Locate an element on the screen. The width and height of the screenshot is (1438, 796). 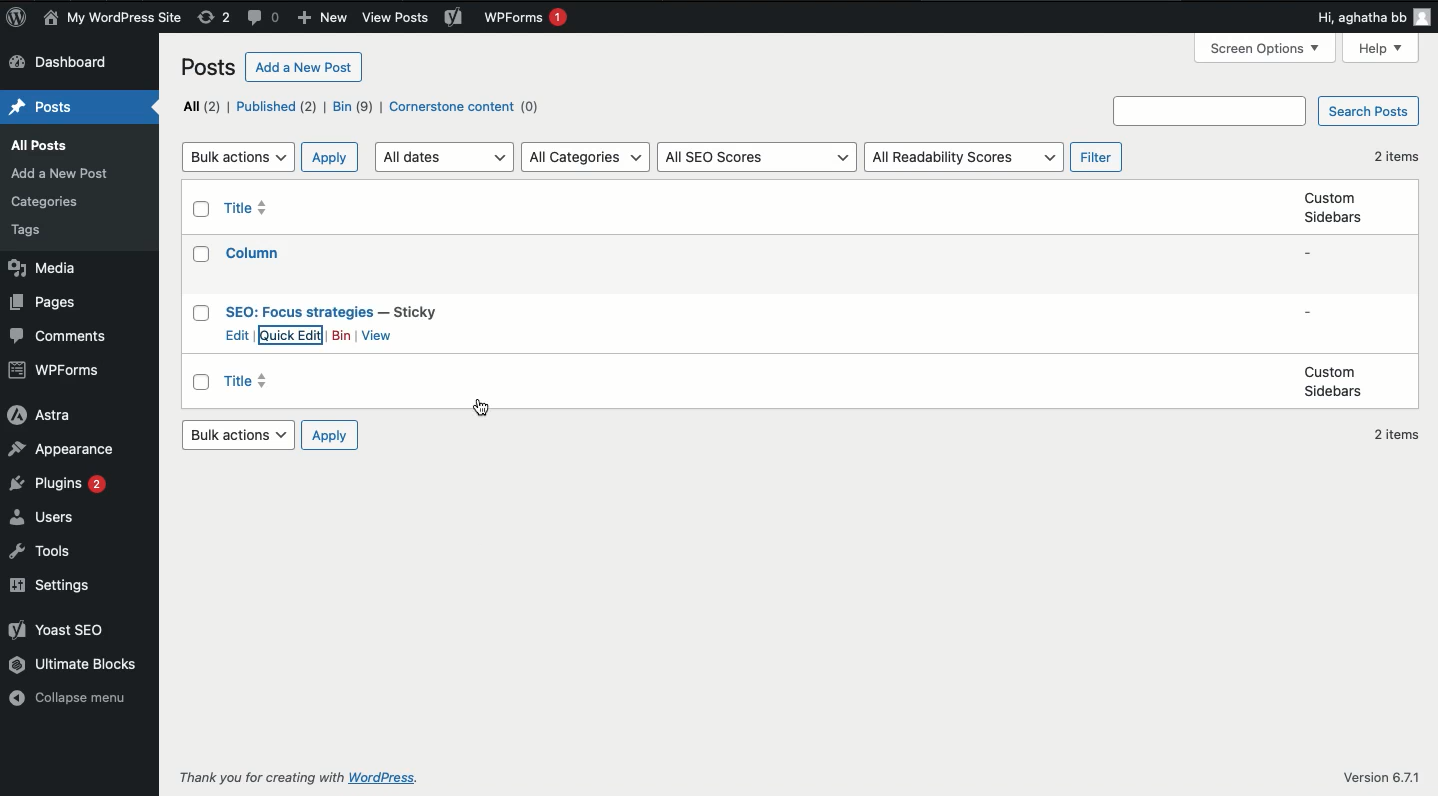
Checkbox is located at coordinates (203, 383).